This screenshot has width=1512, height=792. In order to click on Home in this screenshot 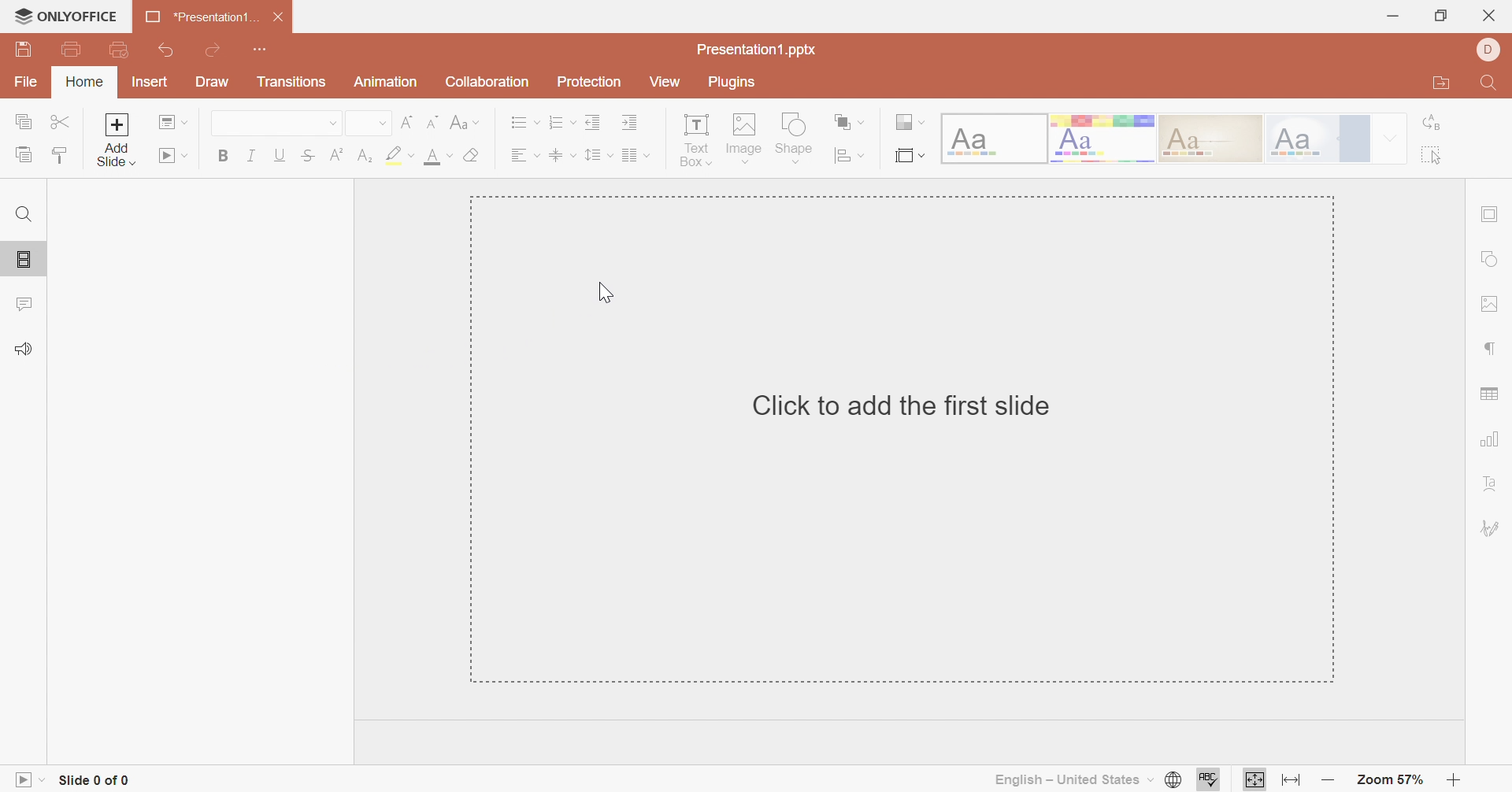, I will do `click(84, 81)`.